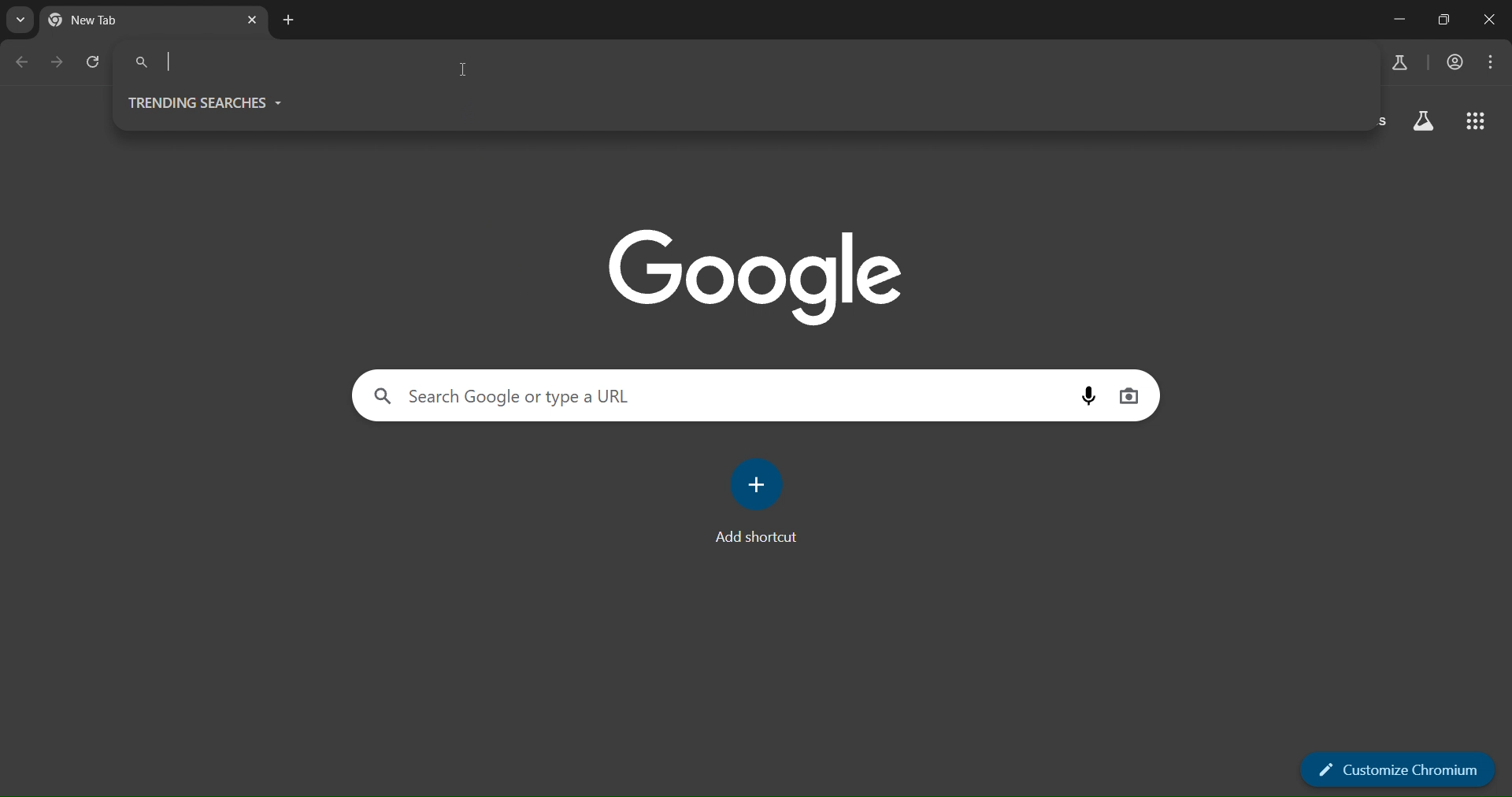  I want to click on TRENDING SEARCHES, so click(213, 102).